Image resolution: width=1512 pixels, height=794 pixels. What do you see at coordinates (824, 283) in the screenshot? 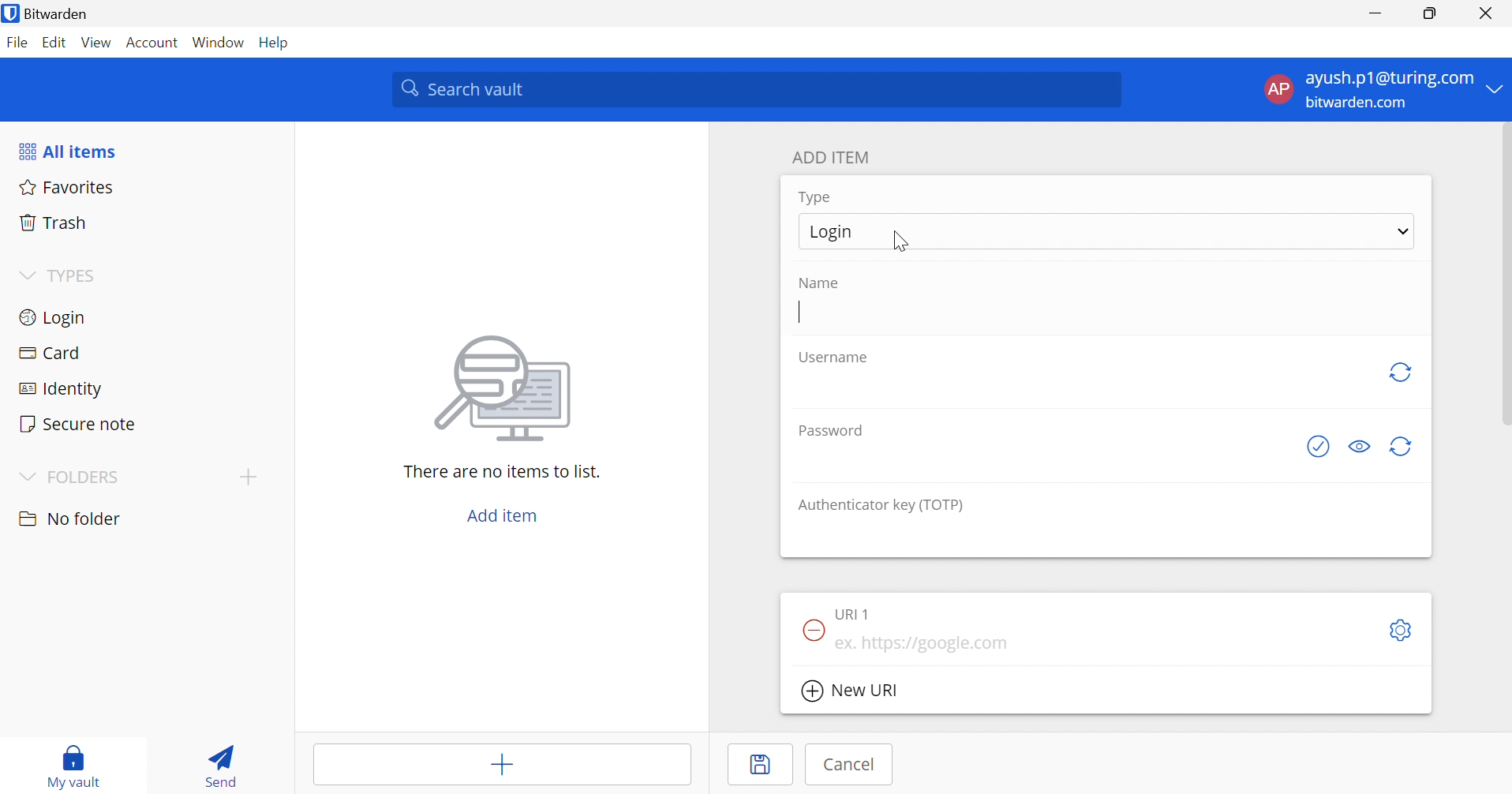
I see `Name` at bounding box center [824, 283].